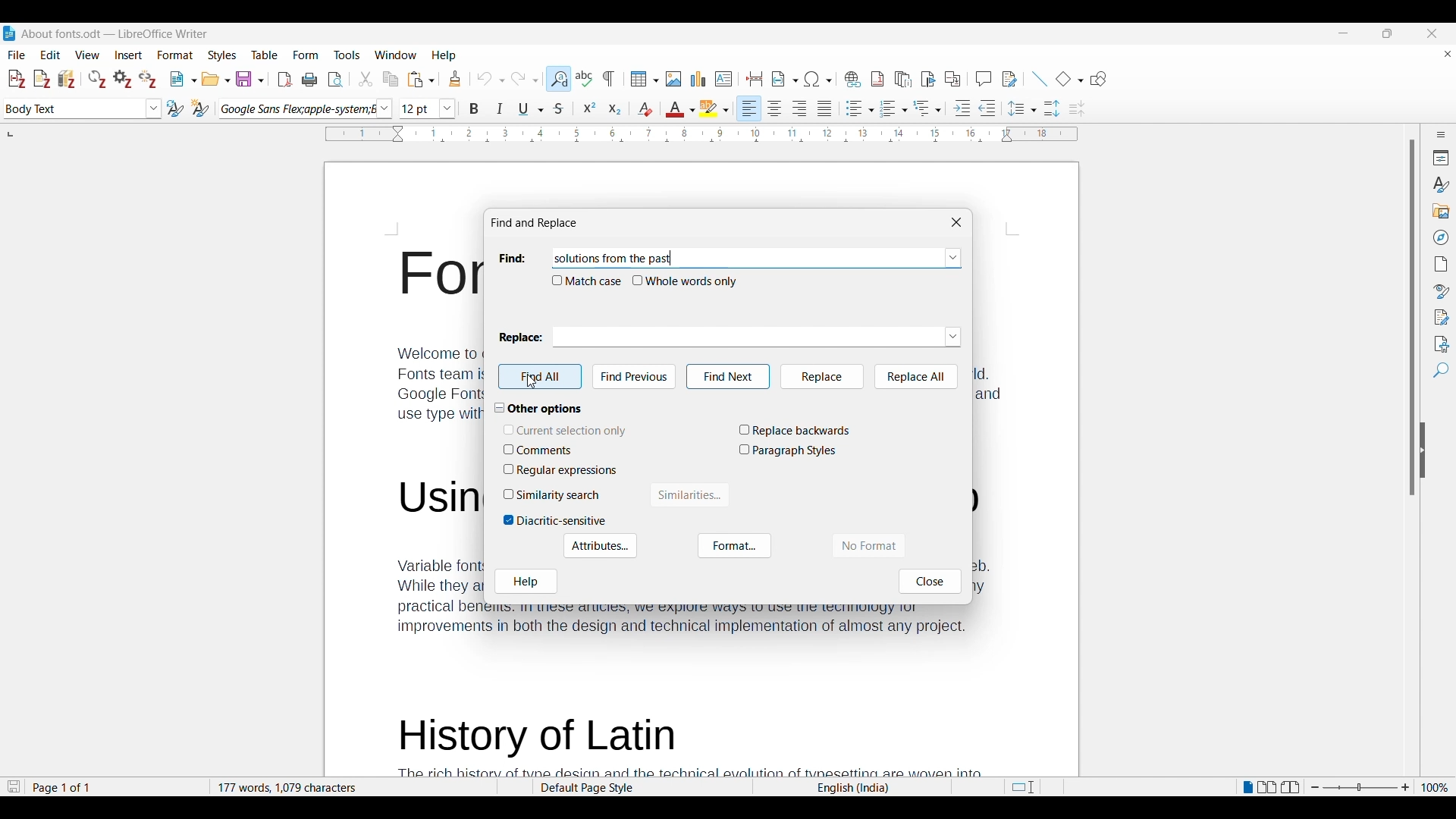 The height and width of the screenshot is (819, 1456). Describe the element at coordinates (265, 55) in the screenshot. I see `Table menu` at that location.